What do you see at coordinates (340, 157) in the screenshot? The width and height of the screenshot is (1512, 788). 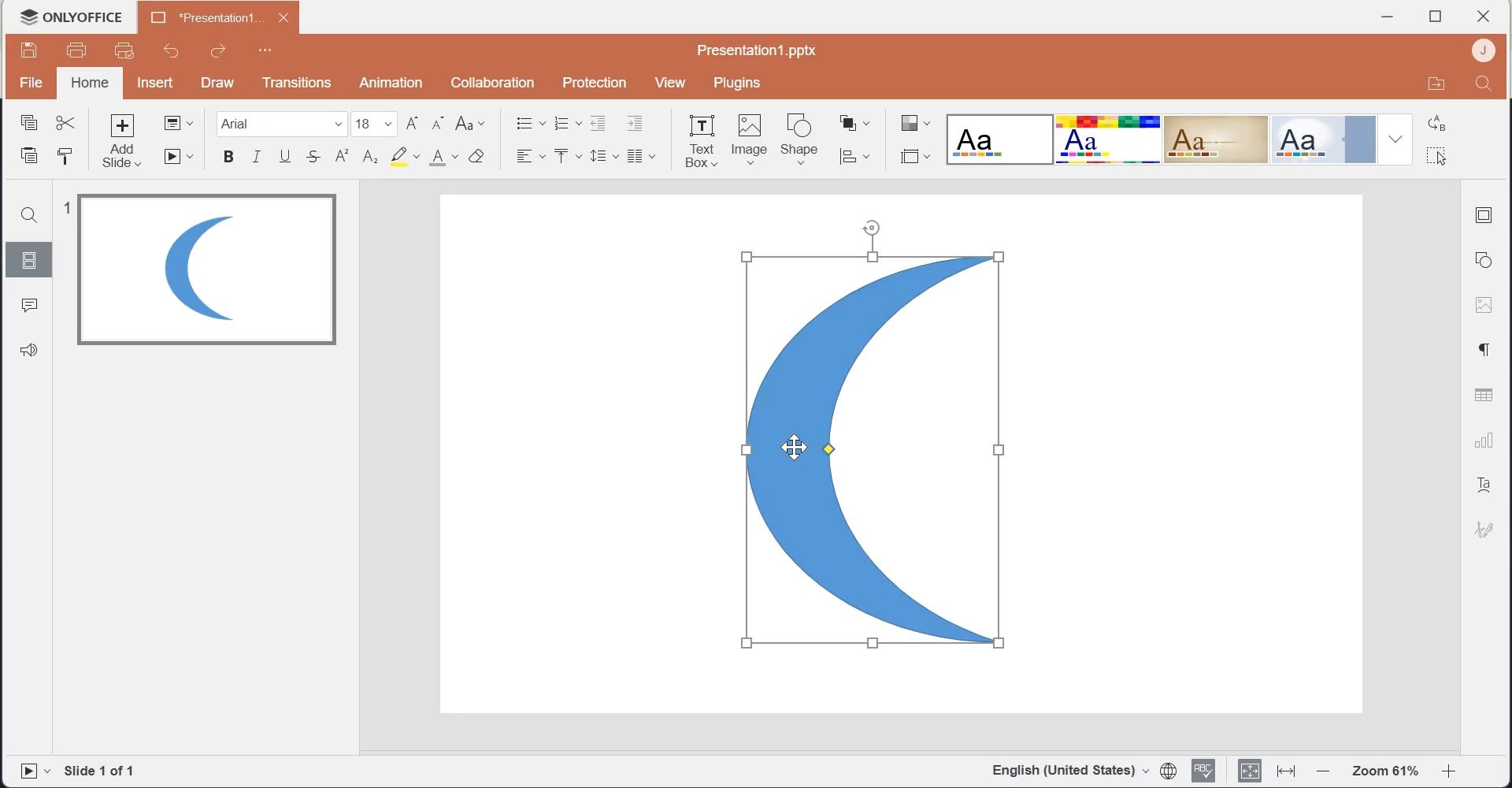 I see `Superscript` at bounding box center [340, 157].